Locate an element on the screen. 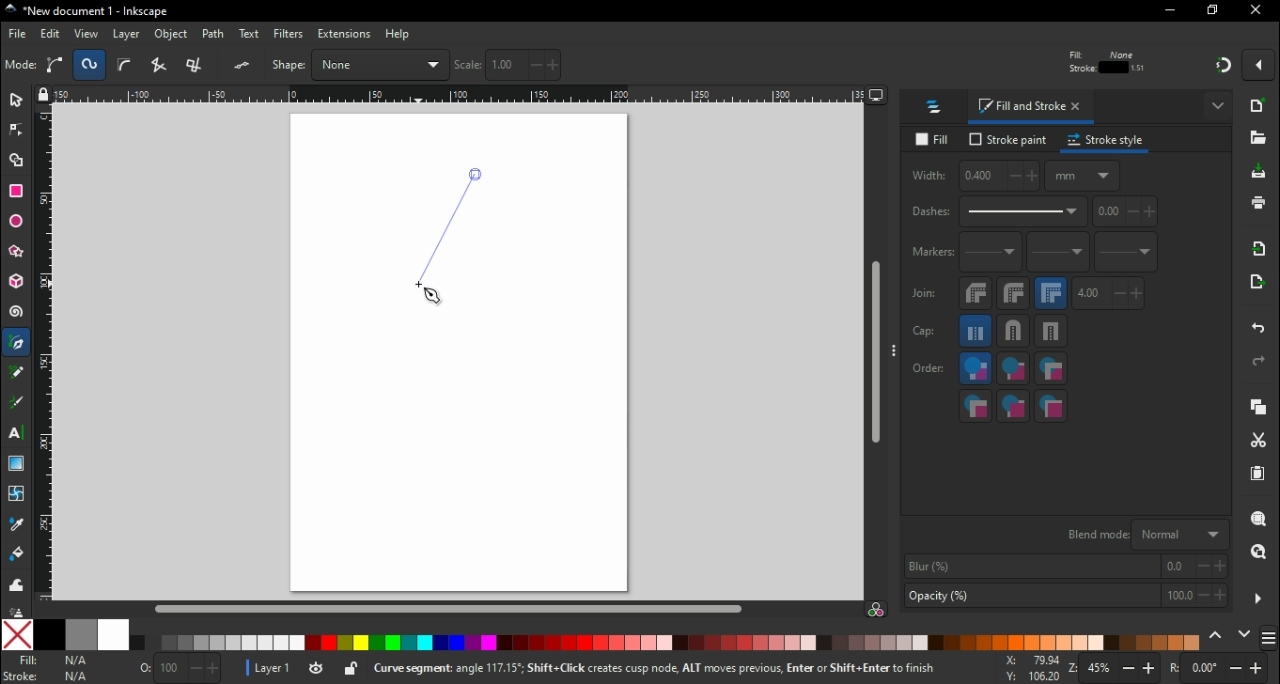 The width and height of the screenshot is (1280, 684). scroll bar is located at coordinates (874, 354).